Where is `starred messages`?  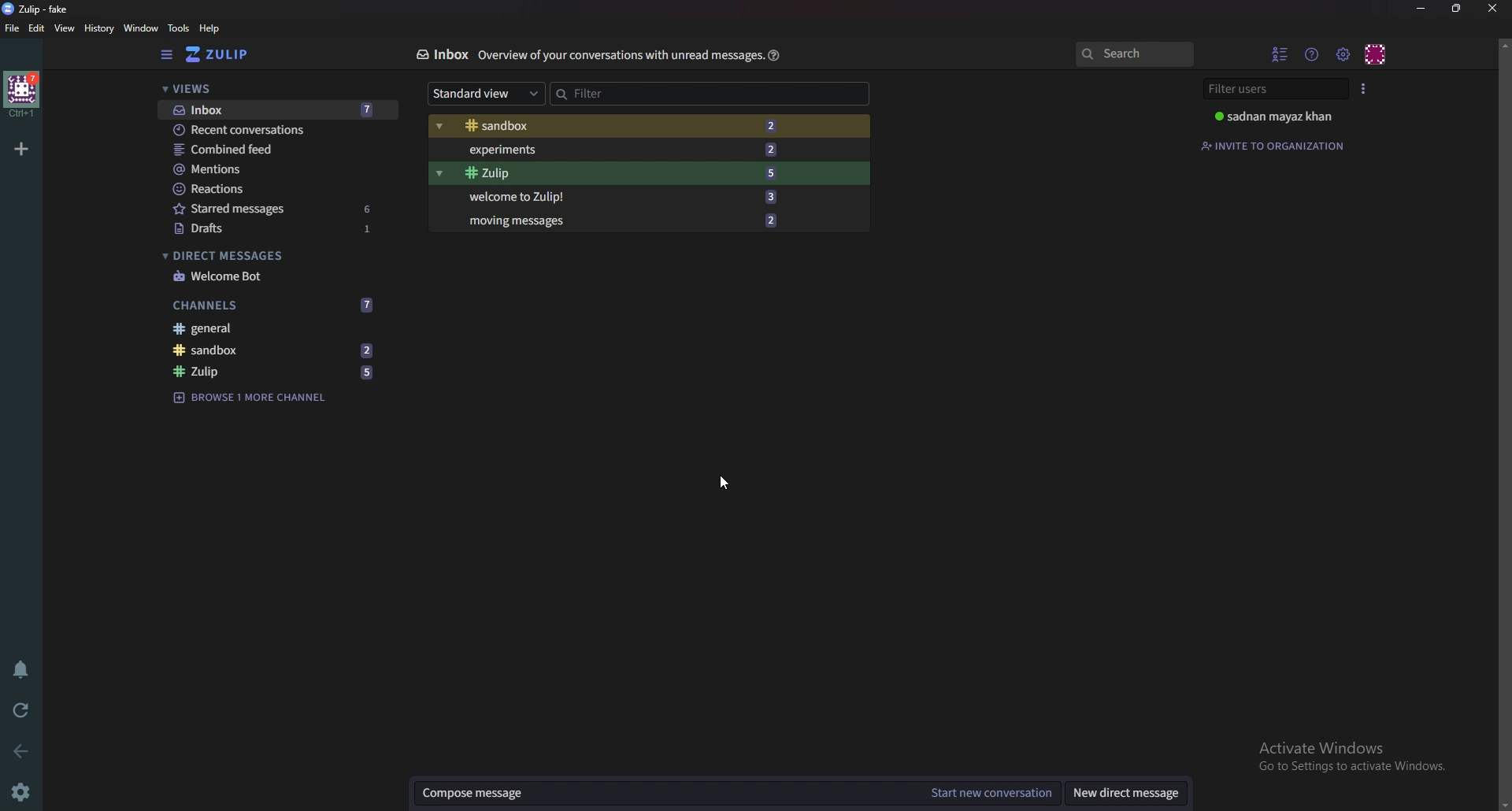
starred messages is located at coordinates (281, 209).